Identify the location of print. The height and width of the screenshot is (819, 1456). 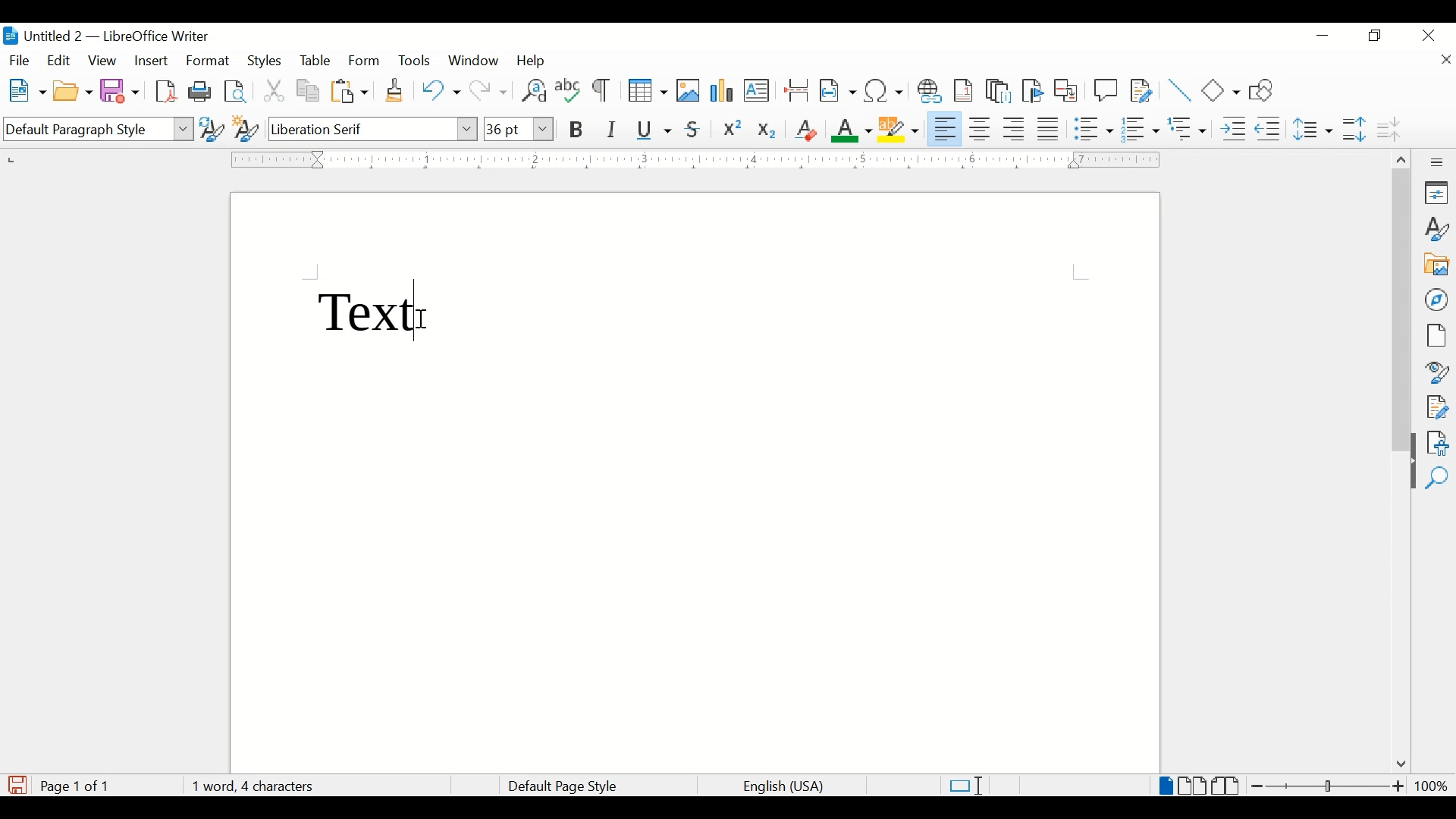
(200, 90).